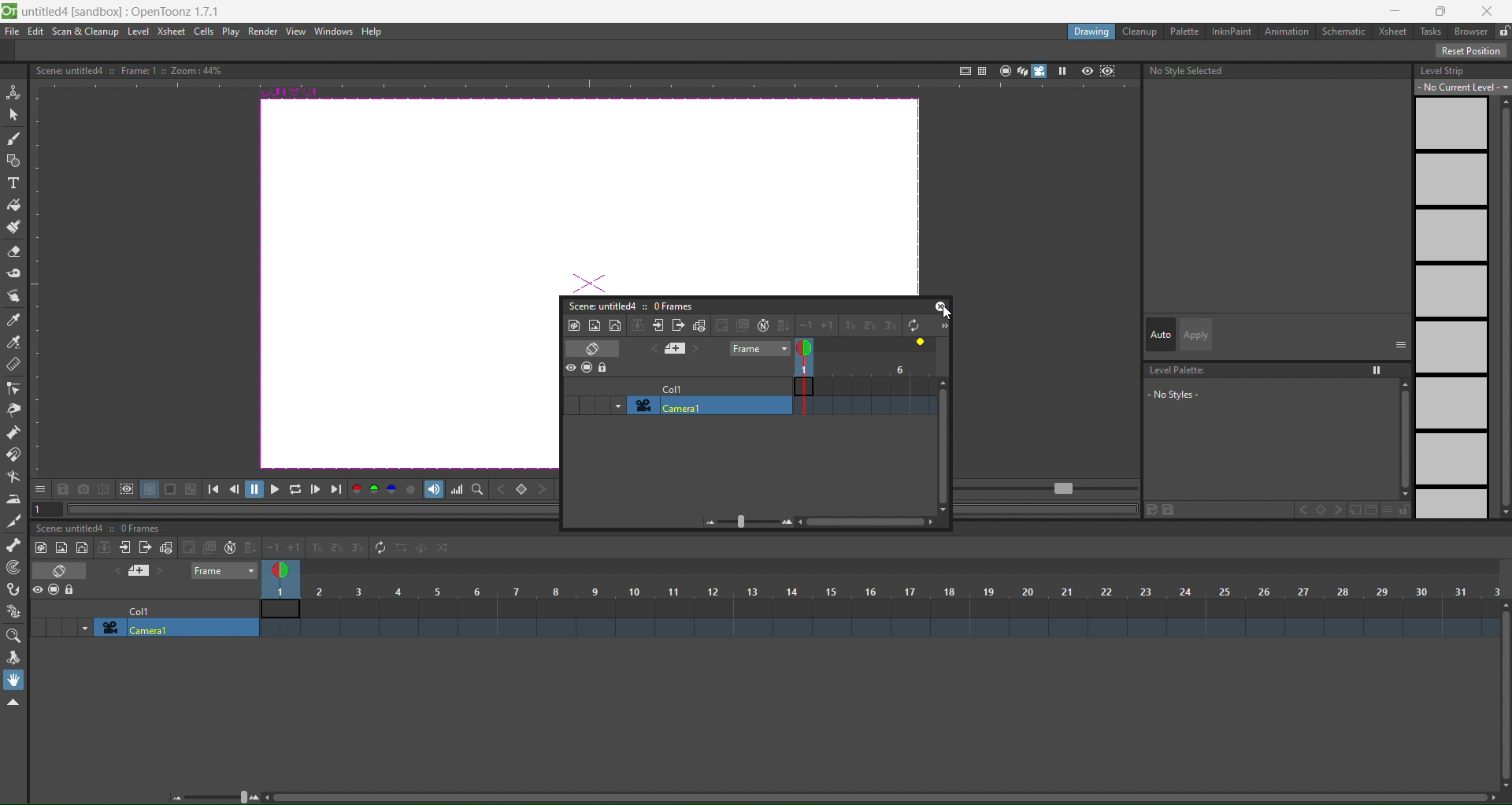 The image size is (1512, 805). Describe the element at coordinates (942, 310) in the screenshot. I see `cursor` at that location.